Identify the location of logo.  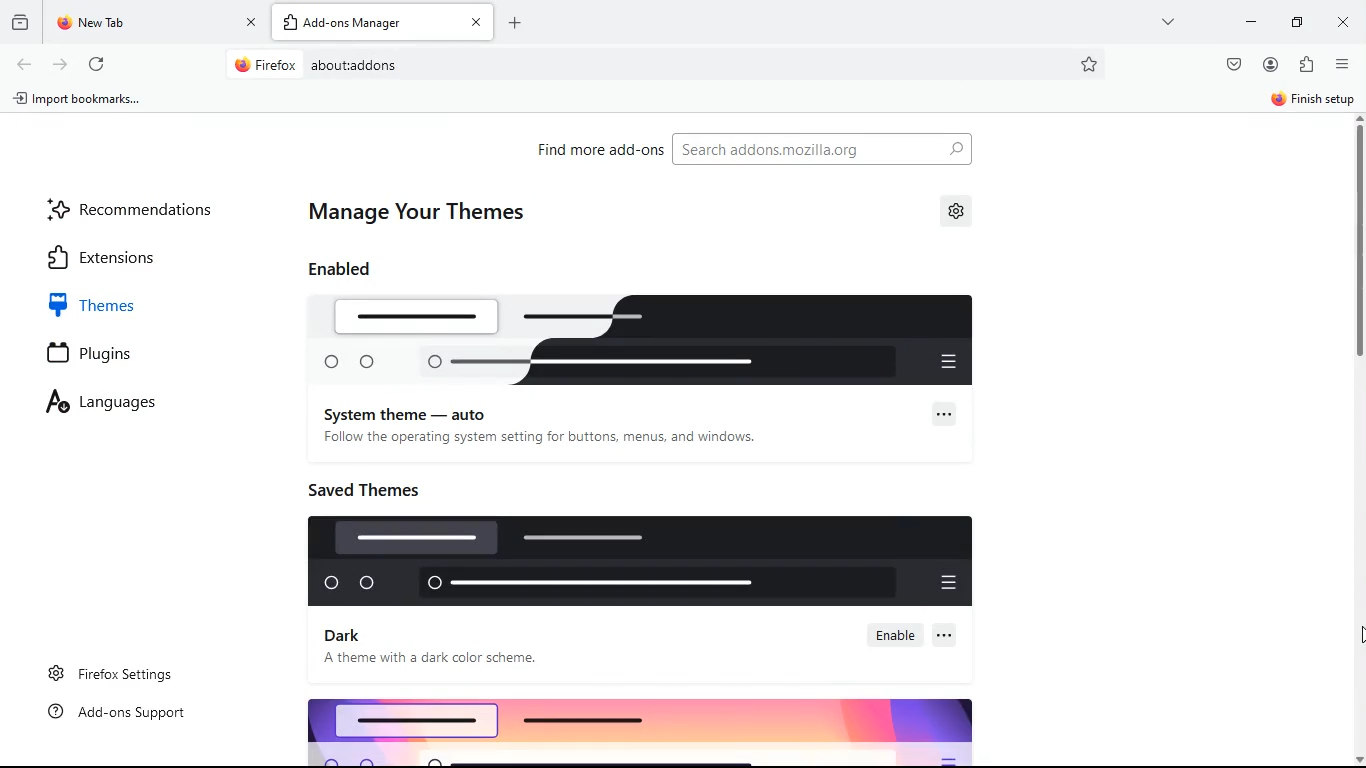
(647, 561).